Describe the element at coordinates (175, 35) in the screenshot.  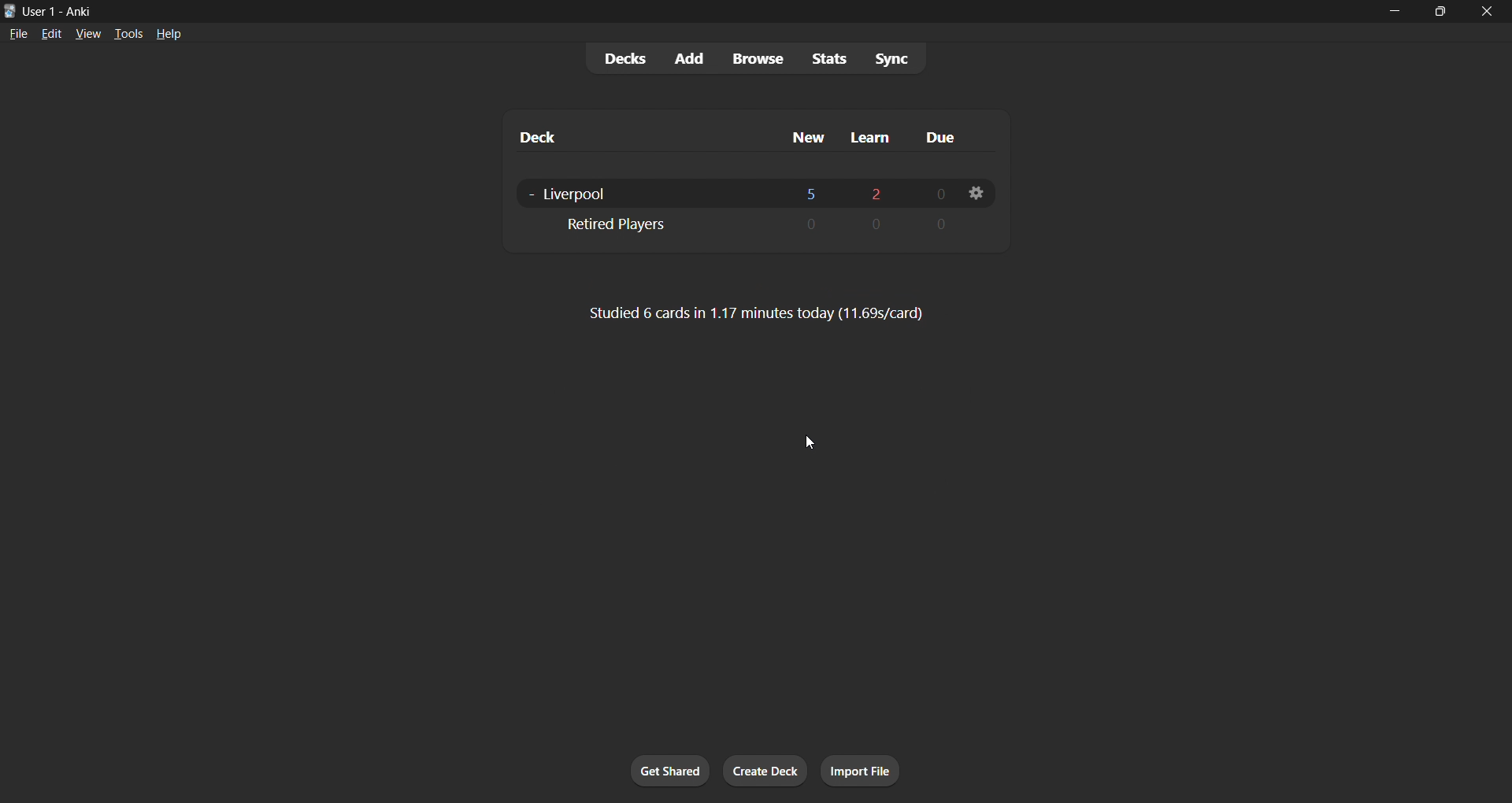
I see `help` at that location.